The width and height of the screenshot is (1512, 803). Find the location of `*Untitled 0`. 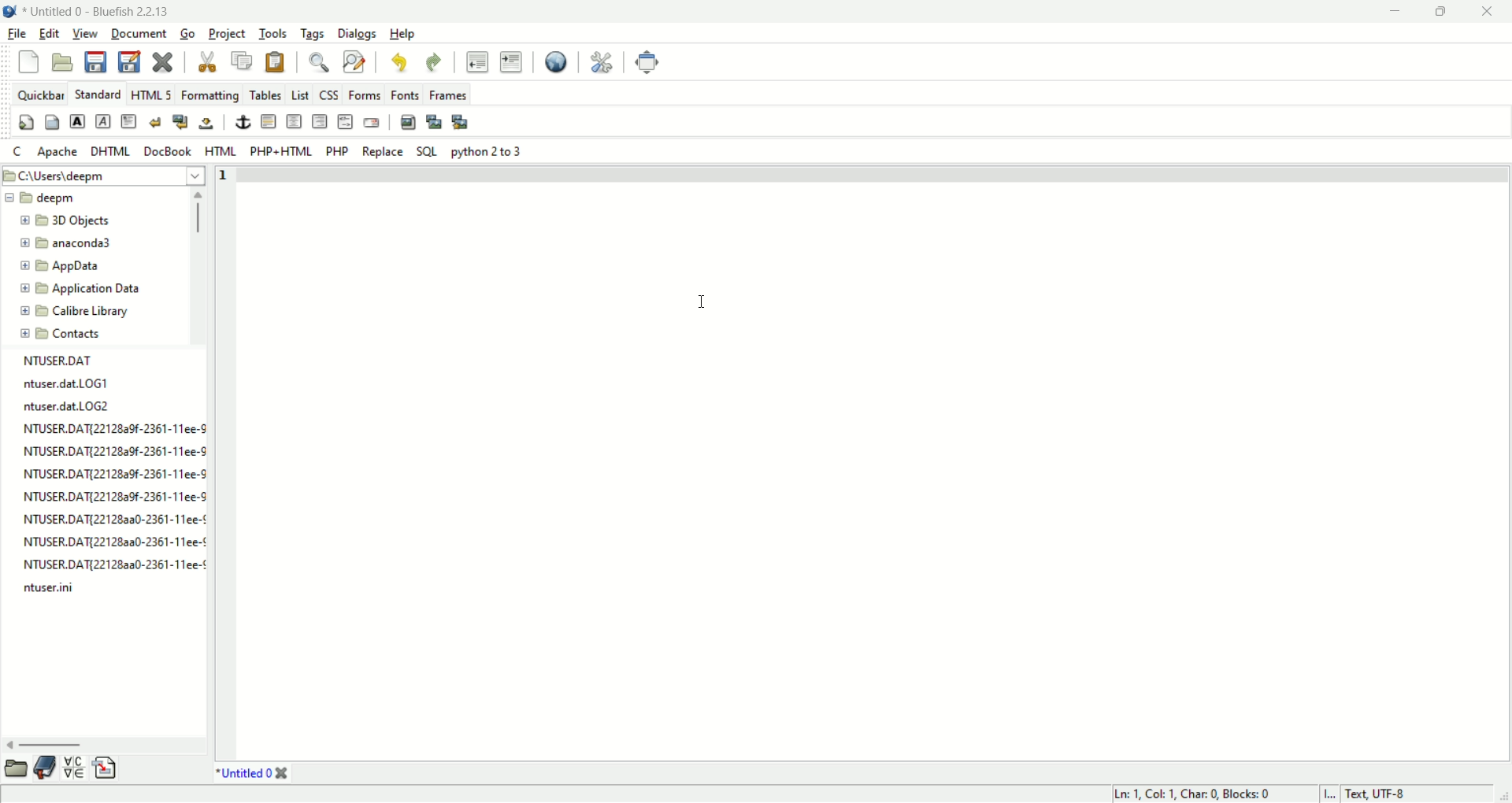

*Untitled 0 is located at coordinates (253, 773).